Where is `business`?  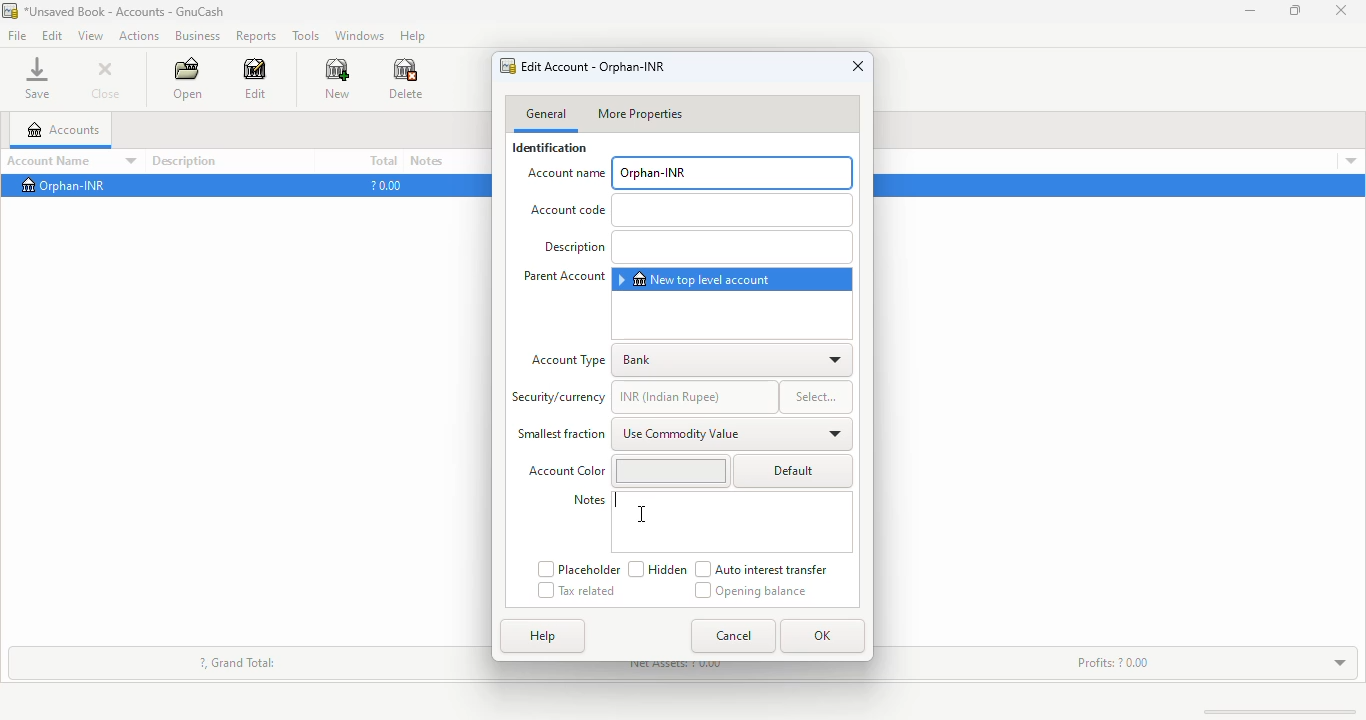 business is located at coordinates (196, 36).